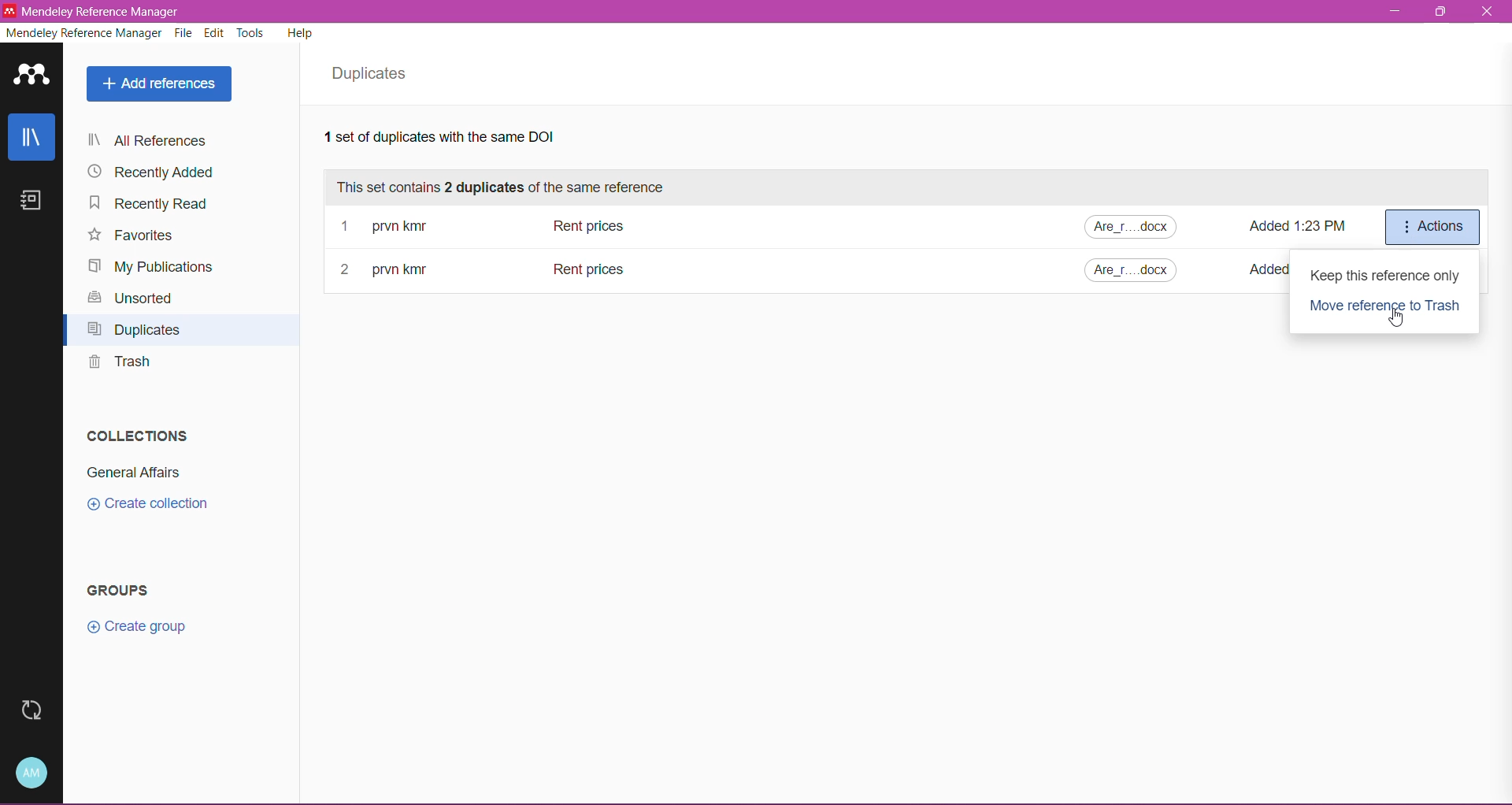  I want to click on Recently Added, so click(153, 172).